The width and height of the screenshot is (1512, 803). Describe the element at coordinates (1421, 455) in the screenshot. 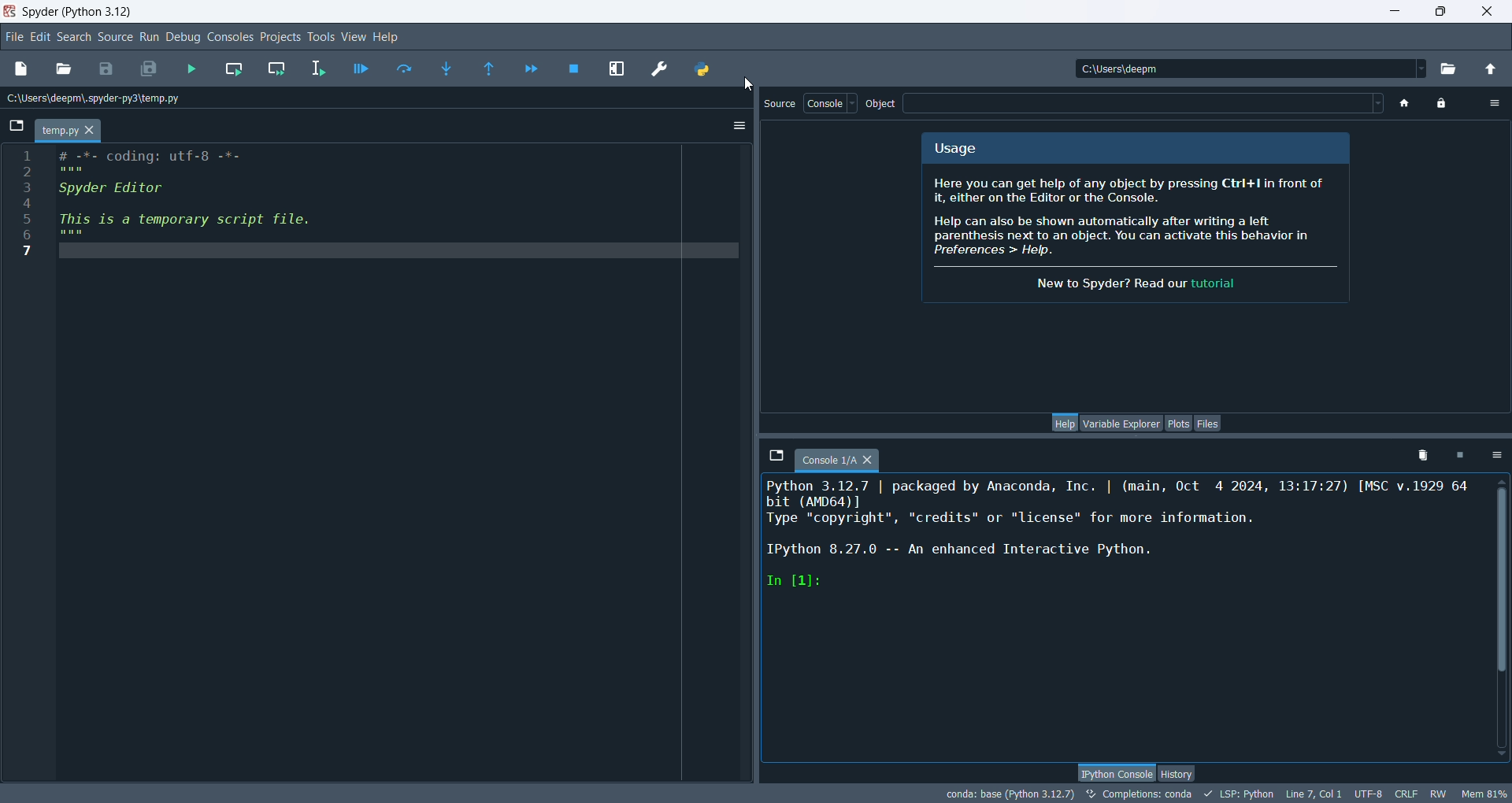

I see `remove` at that location.